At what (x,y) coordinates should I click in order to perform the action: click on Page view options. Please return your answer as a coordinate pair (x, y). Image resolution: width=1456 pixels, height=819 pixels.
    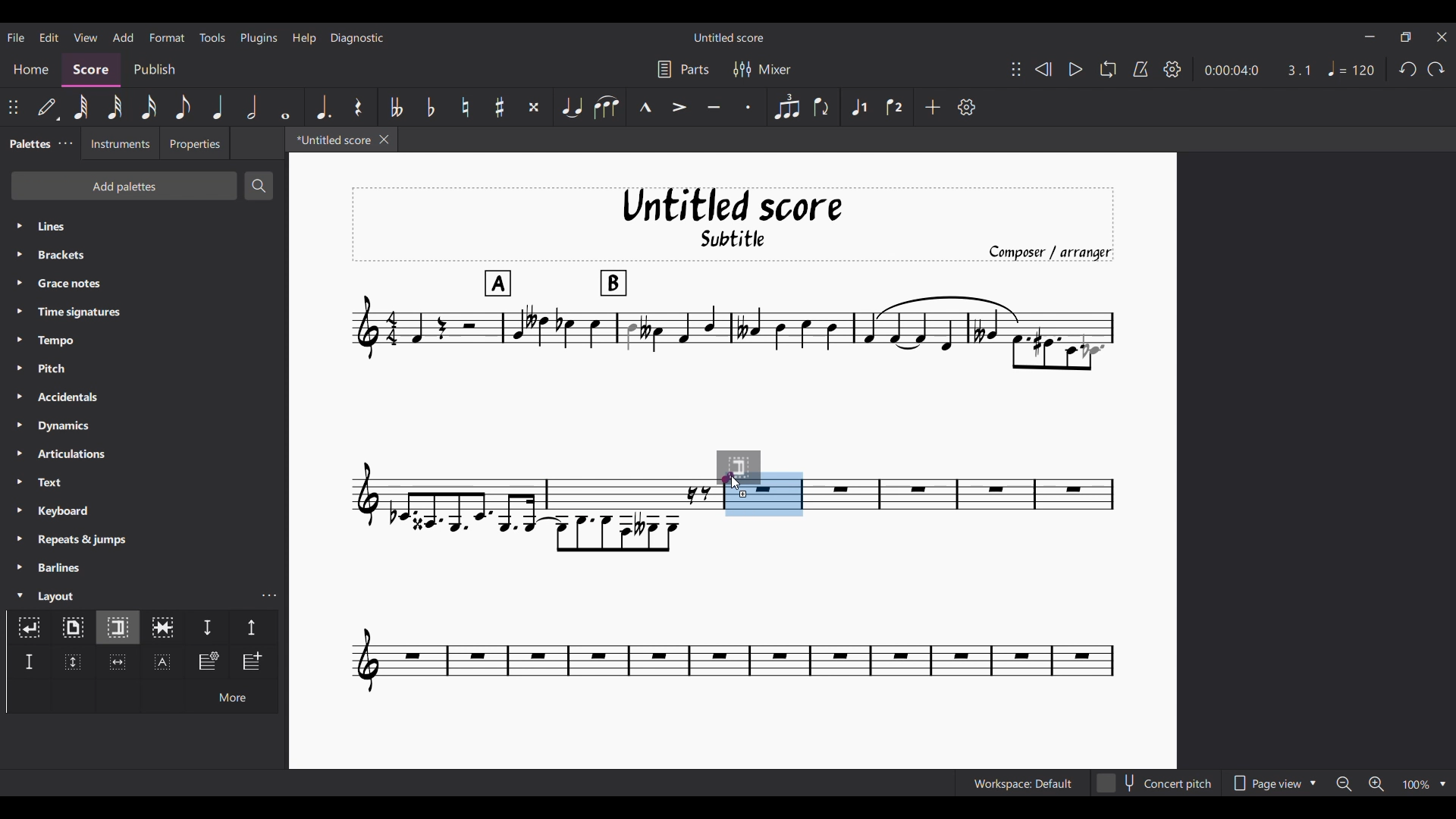
    Looking at the image, I should click on (1272, 783).